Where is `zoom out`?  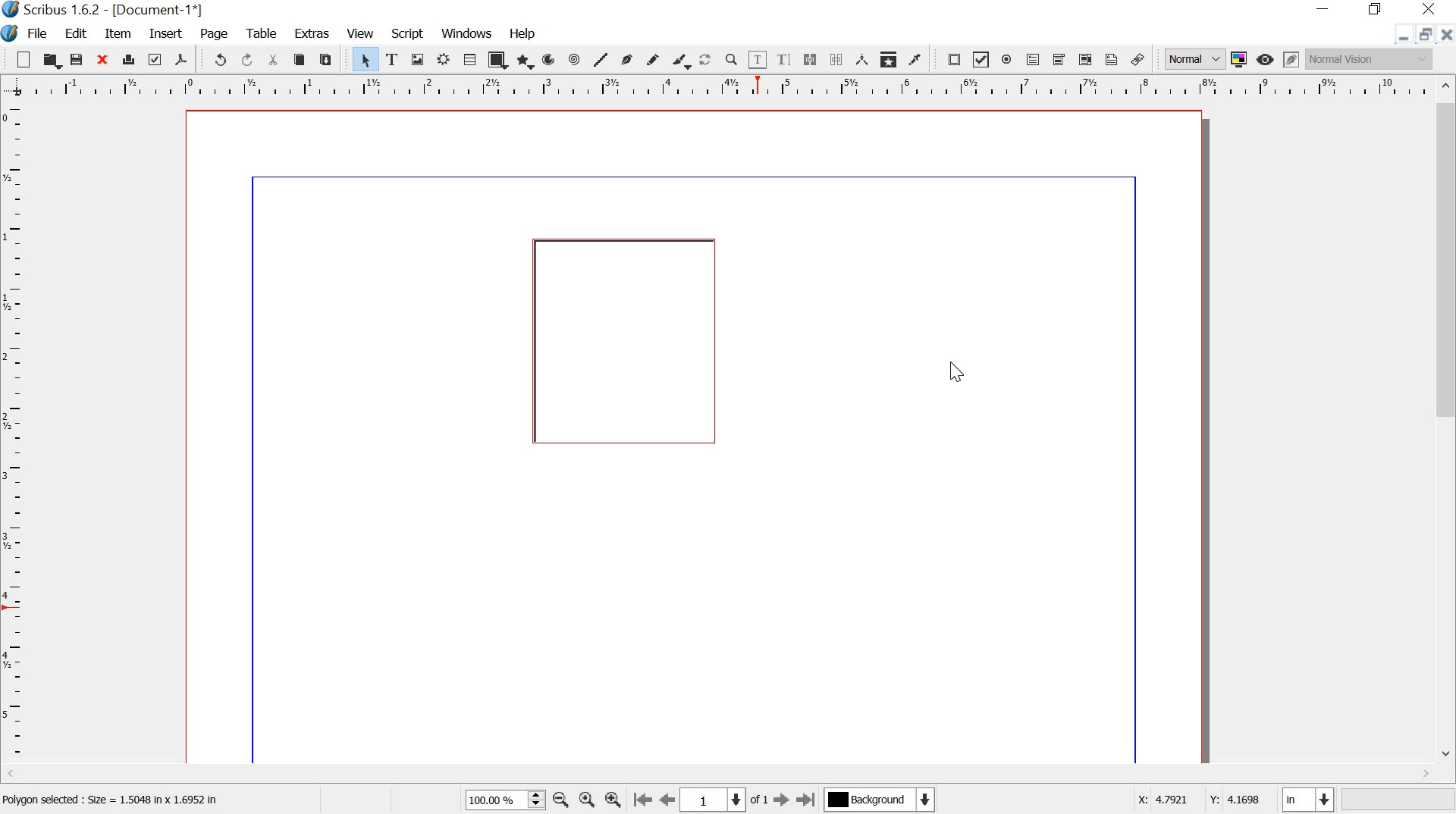
zoom out is located at coordinates (560, 799).